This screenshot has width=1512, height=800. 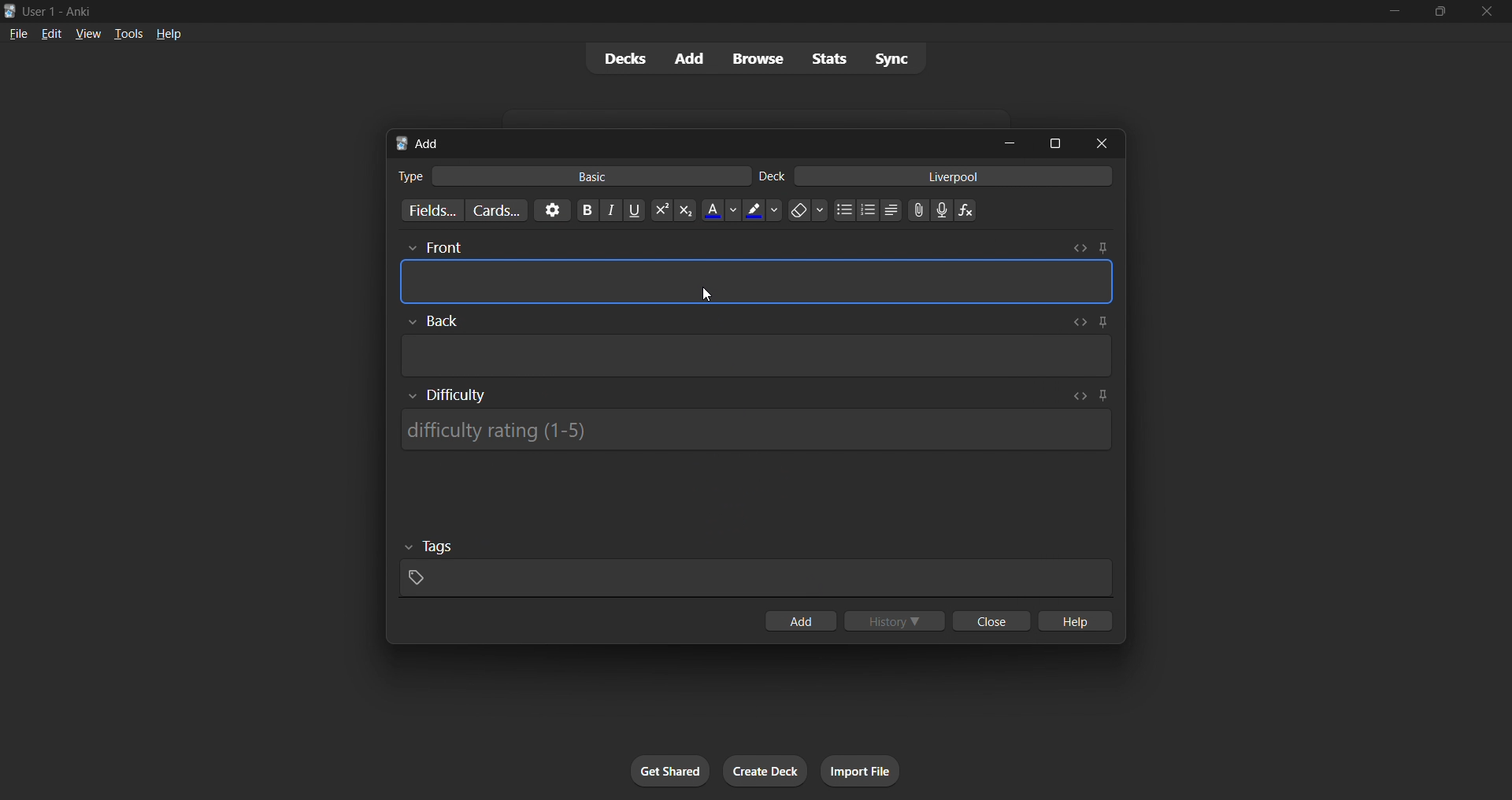 I want to click on Toggle HTML editor, so click(x=1080, y=248).